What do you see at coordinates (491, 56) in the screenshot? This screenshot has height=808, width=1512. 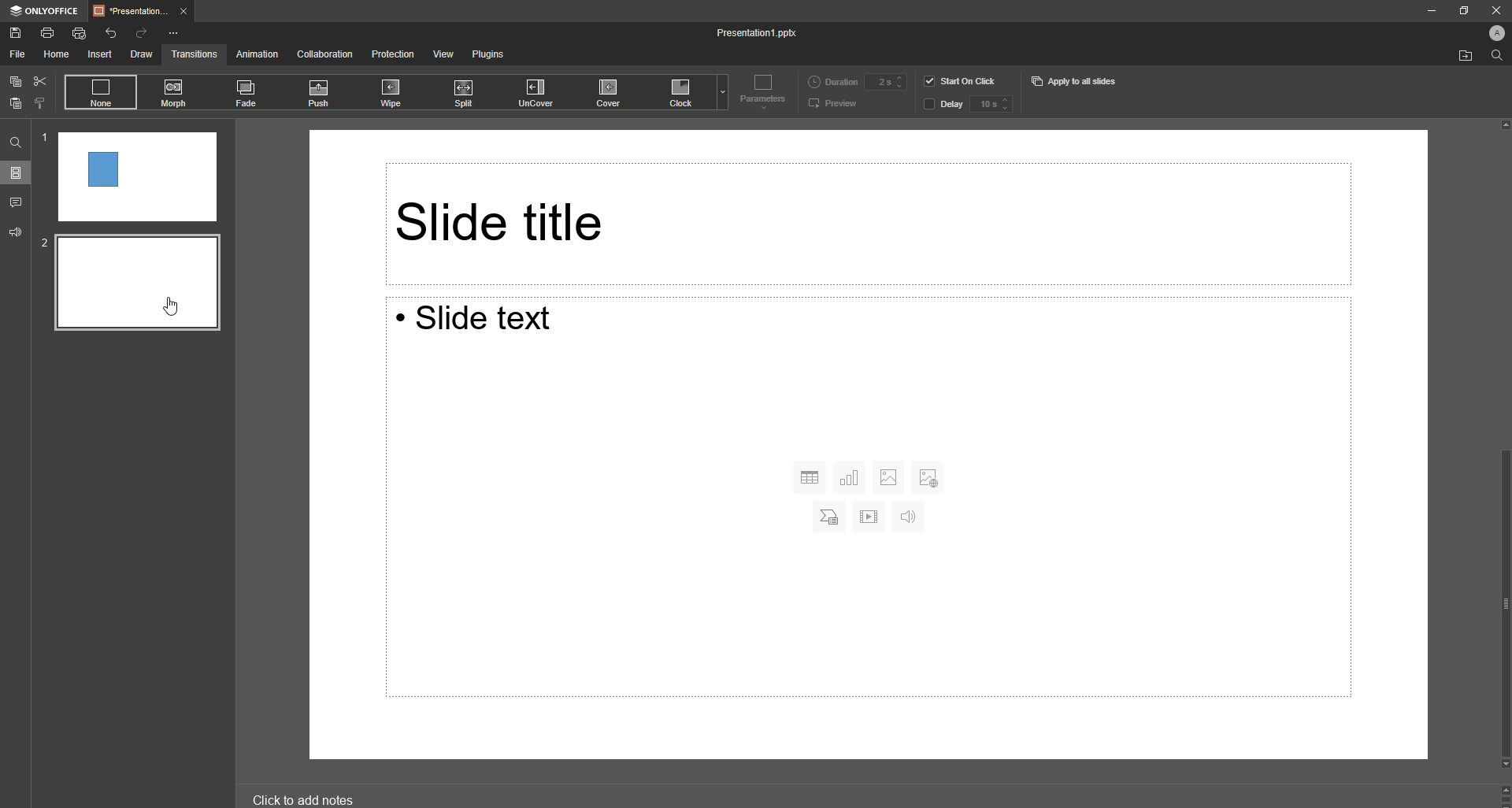 I see `Plugins` at bounding box center [491, 56].